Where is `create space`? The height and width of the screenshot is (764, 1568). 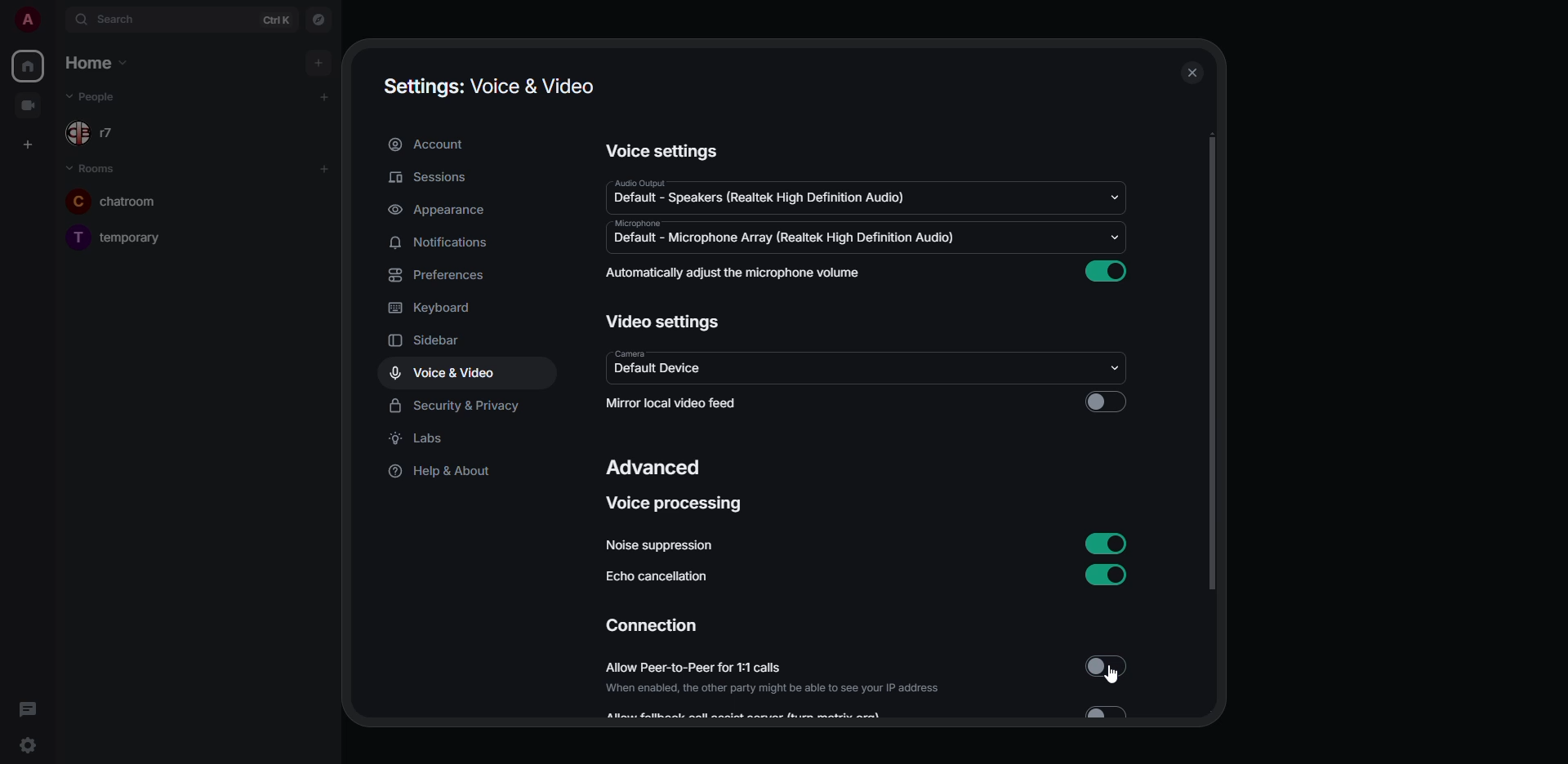
create space is located at coordinates (29, 144).